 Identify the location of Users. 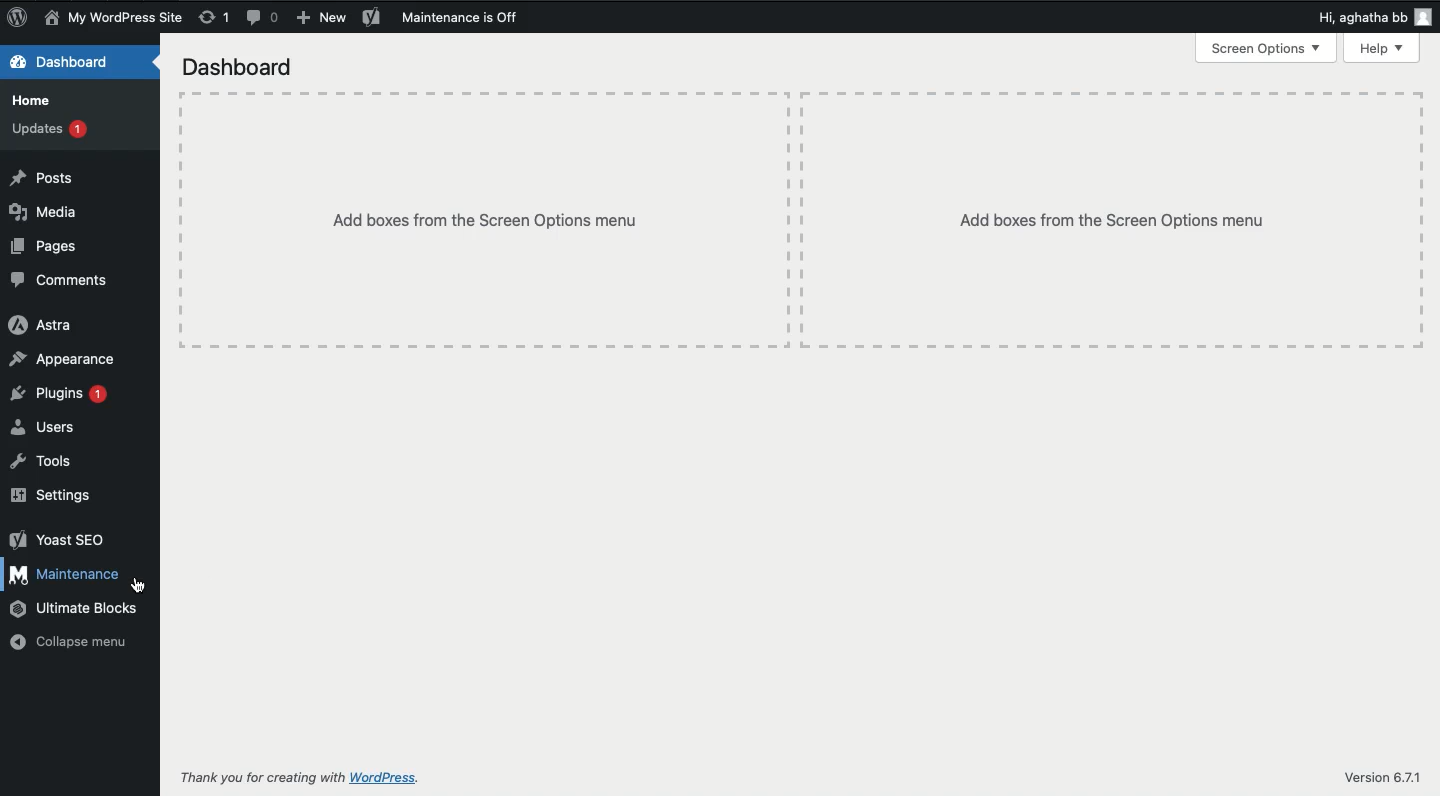
(41, 428).